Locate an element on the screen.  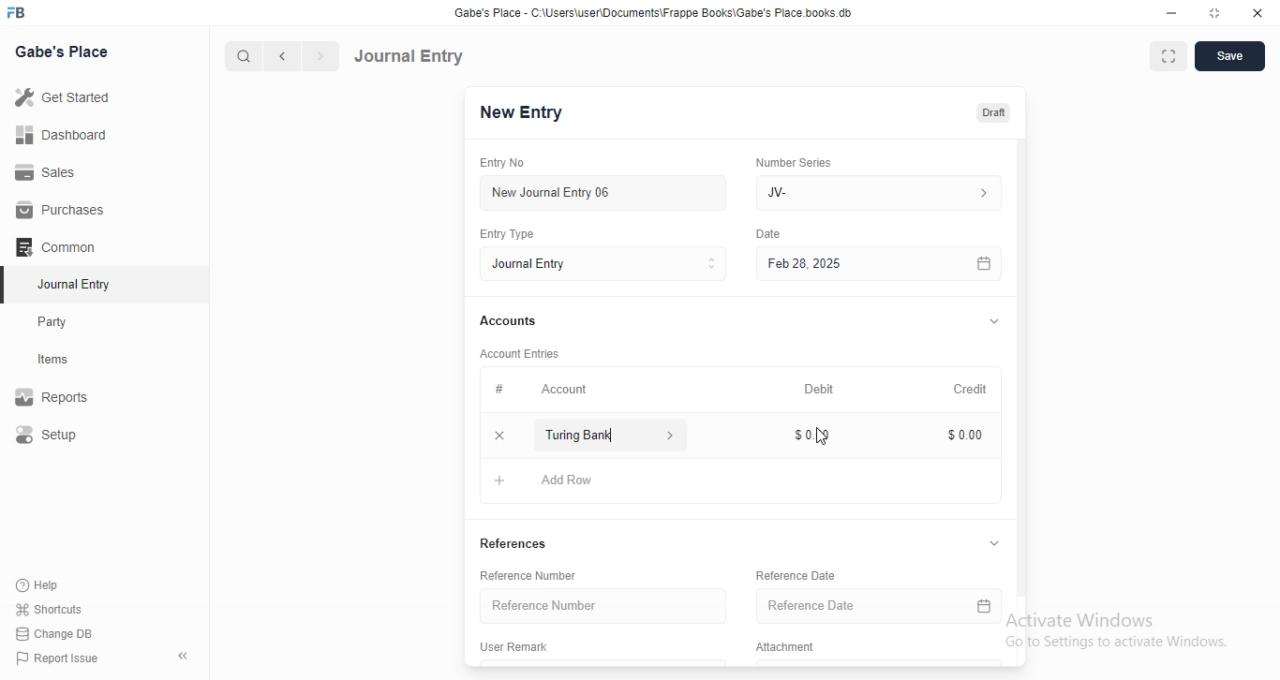
full screen is located at coordinates (1172, 57).